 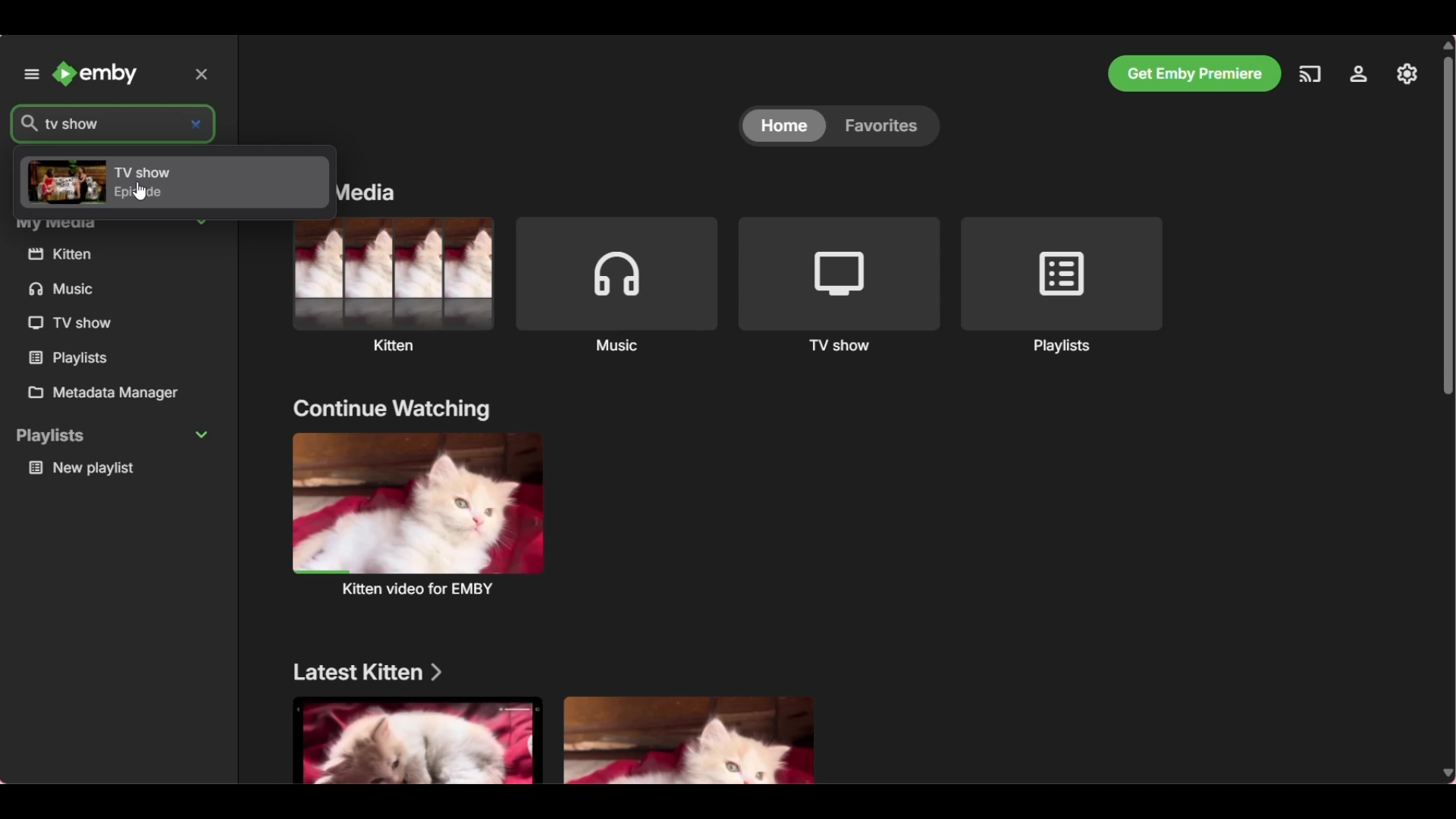 What do you see at coordinates (783, 127) in the screenshot?
I see `home` at bounding box center [783, 127].